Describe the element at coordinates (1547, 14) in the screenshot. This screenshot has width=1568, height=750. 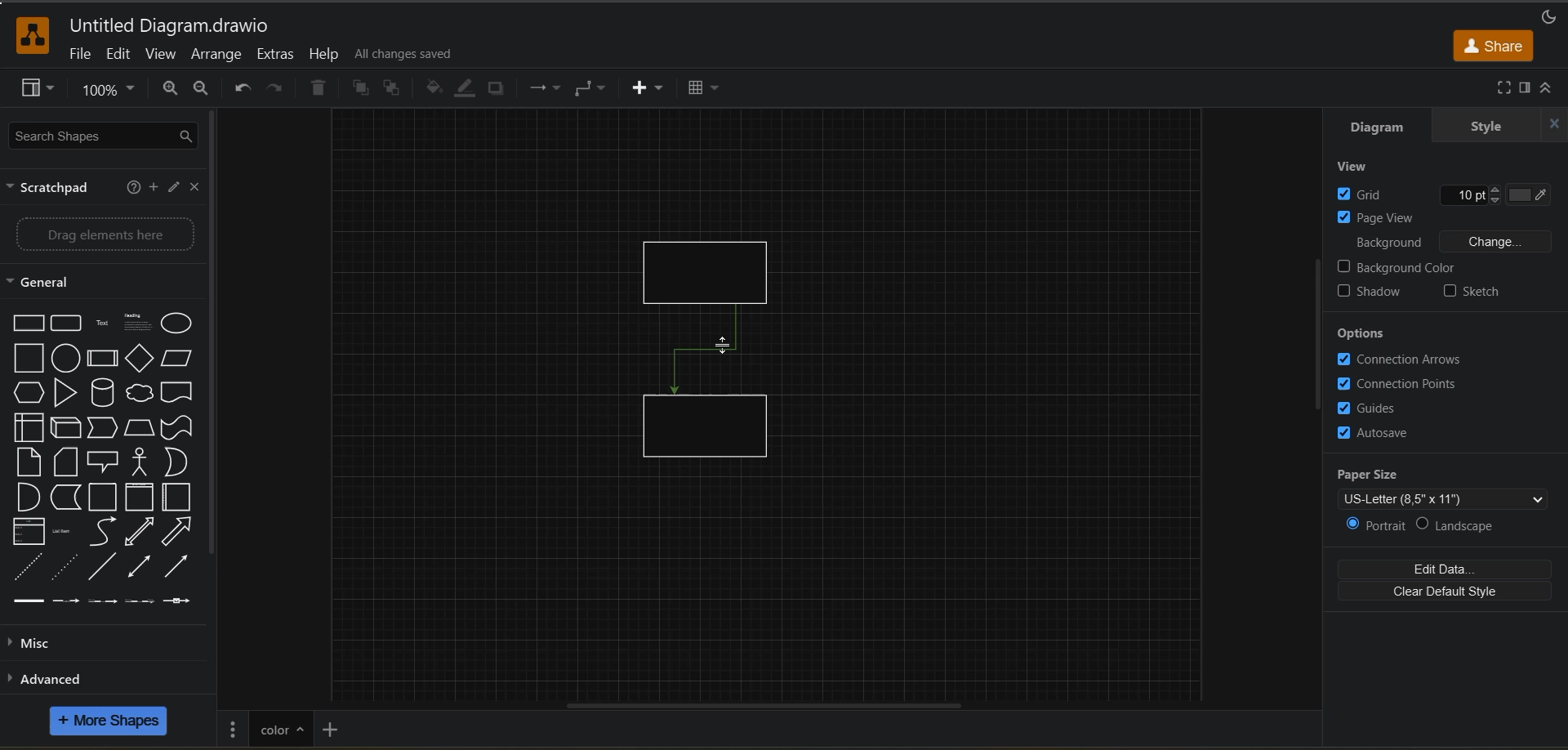
I see `appearance` at that location.